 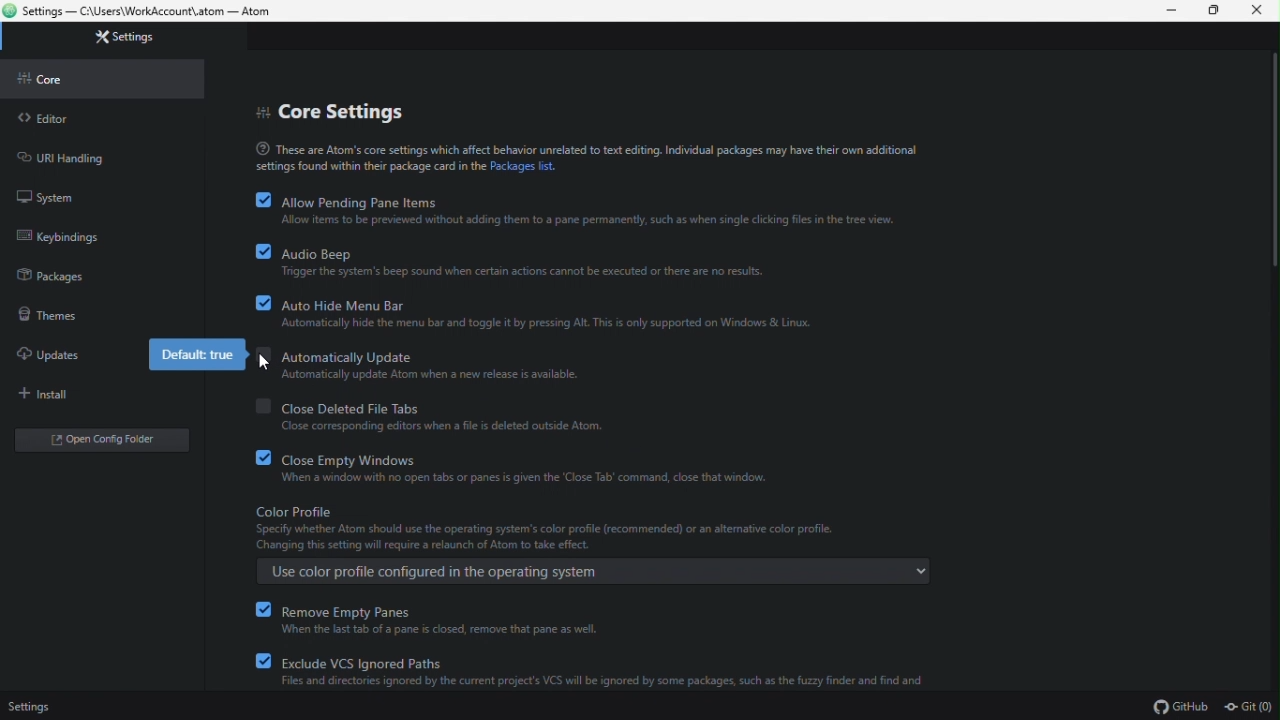 What do you see at coordinates (195, 356) in the screenshot?
I see `default true` at bounding box center [195, 356].